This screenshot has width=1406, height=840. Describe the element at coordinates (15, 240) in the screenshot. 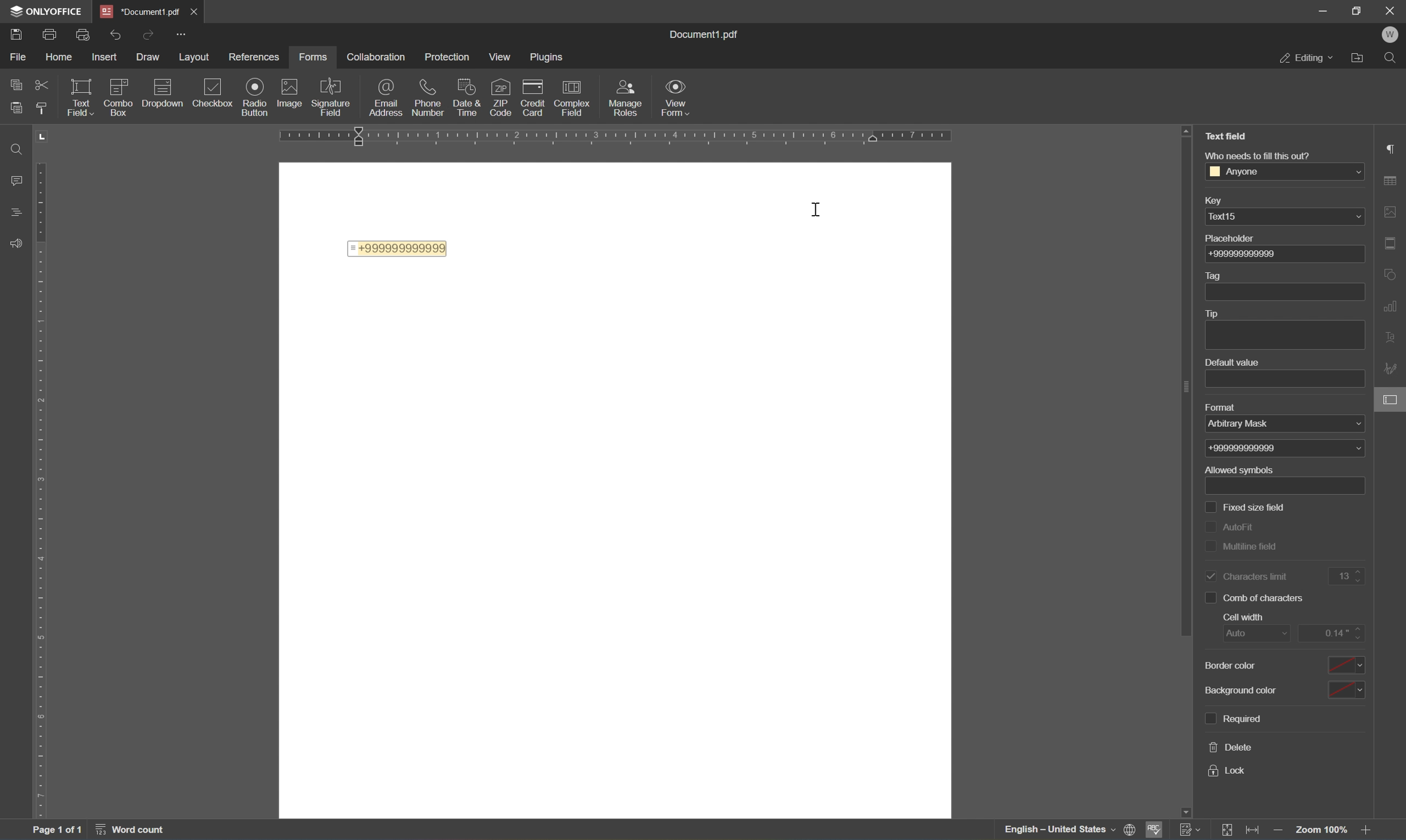

I see `feedback and support` at that location.